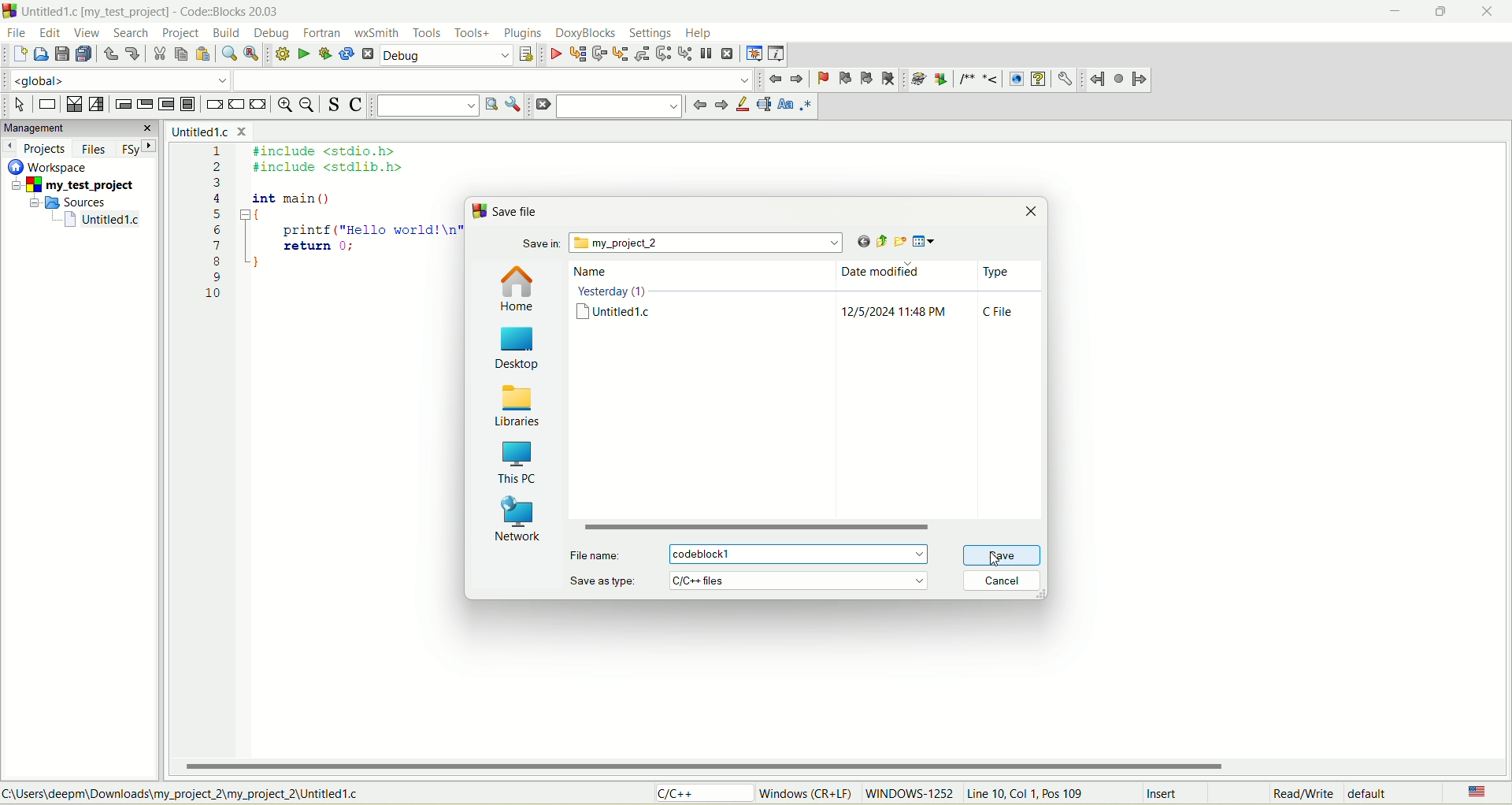  I want to click on management, so click(79, 127).